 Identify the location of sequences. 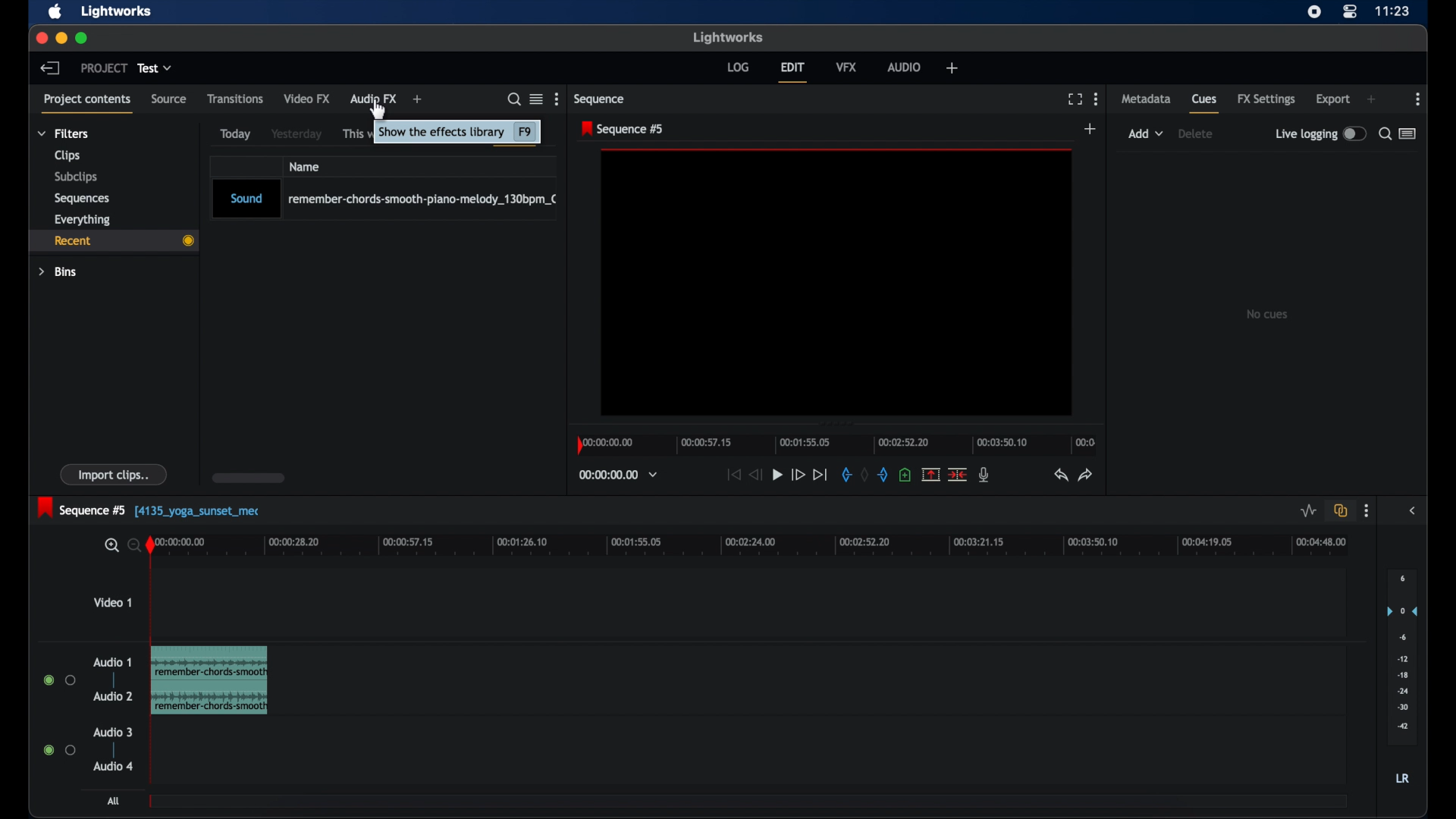
(81, 199).